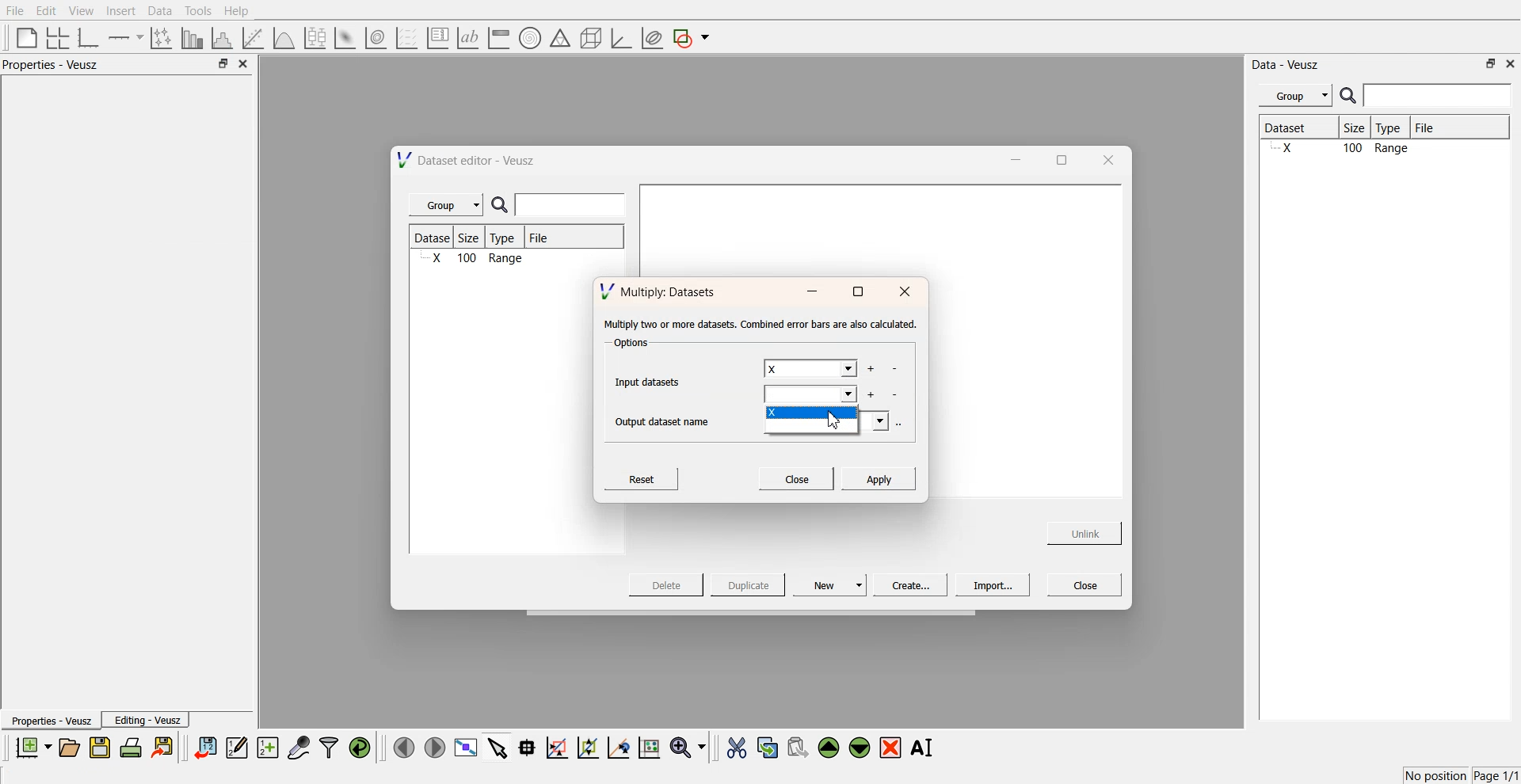 Image resolution: width=1521 pixels, height=784 pixels. I want to click on close, so click(1107, 159).